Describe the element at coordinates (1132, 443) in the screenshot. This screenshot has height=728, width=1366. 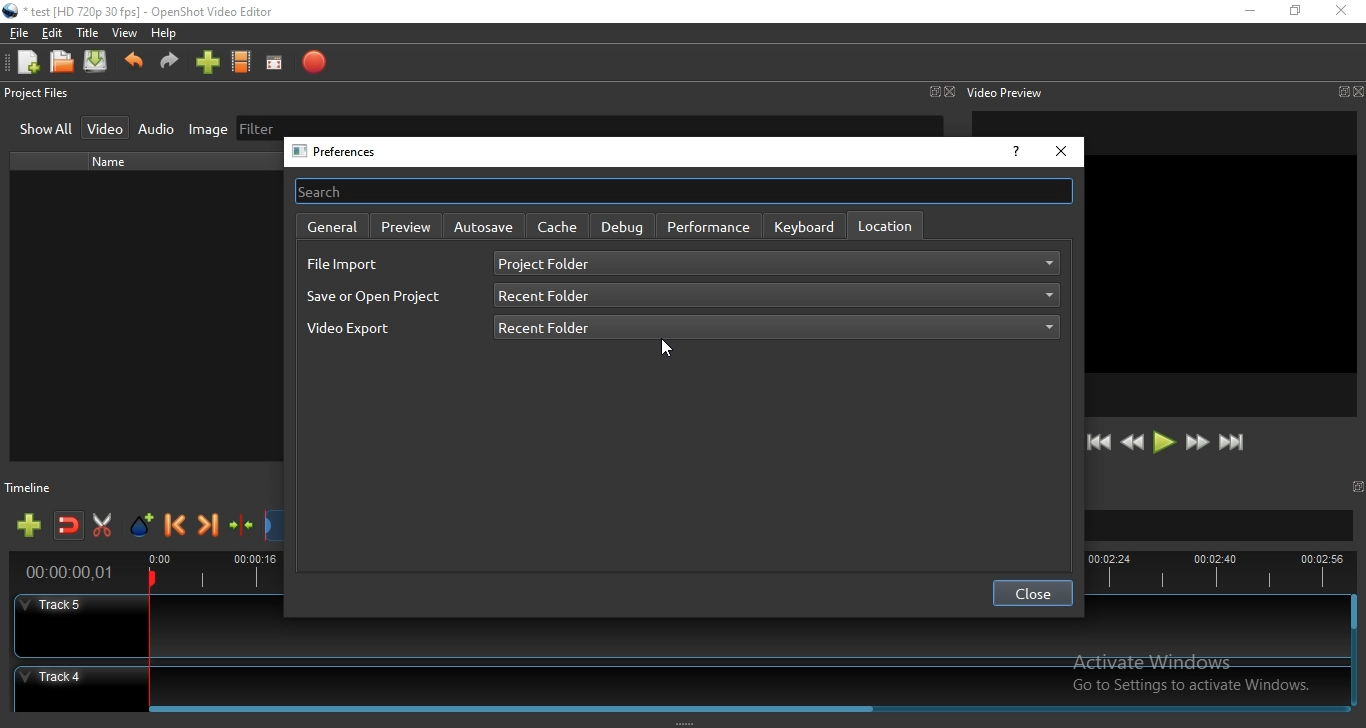
I see `Rewind ` at that location.